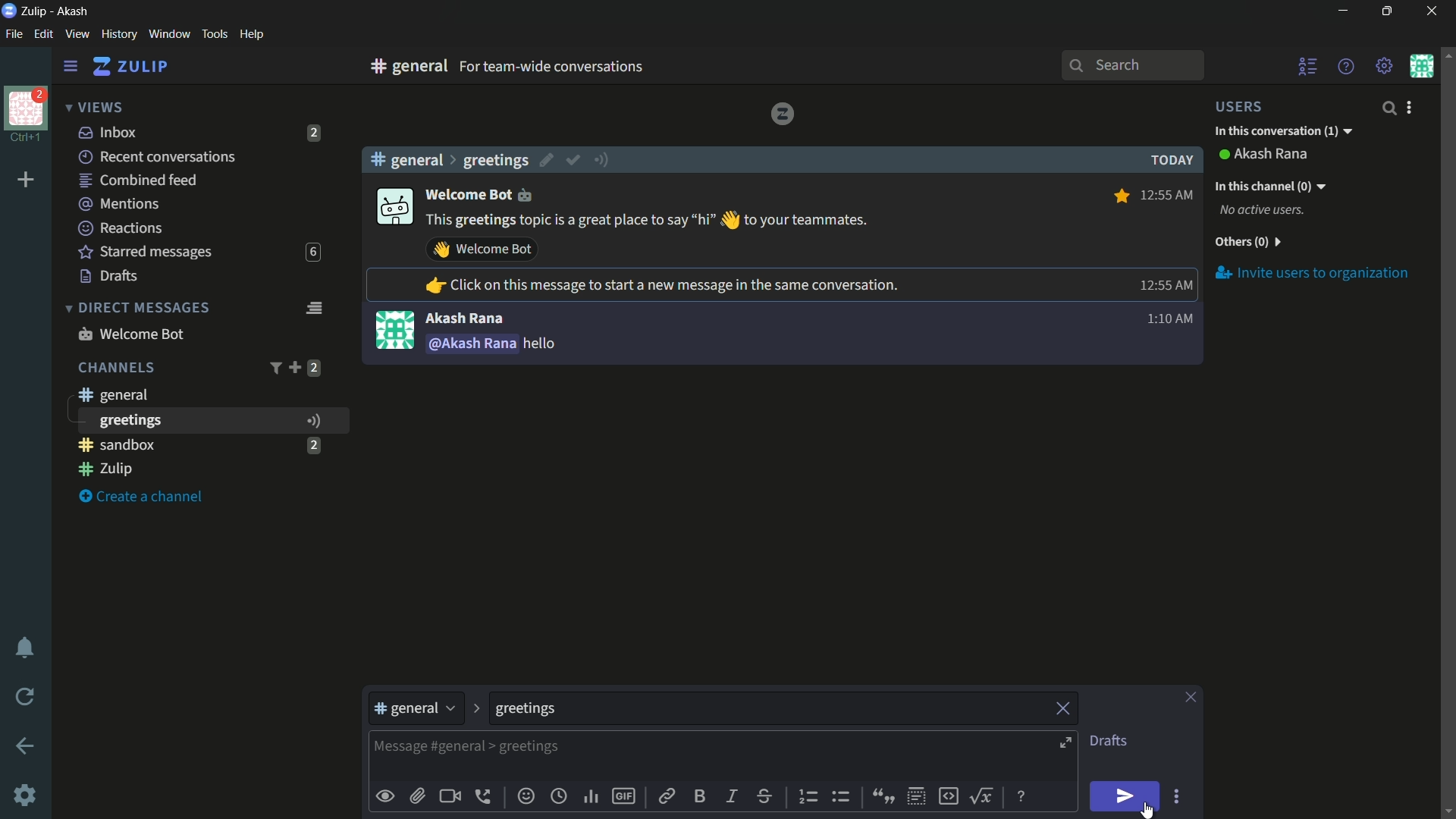  I want to click on send, so click(1126, 797).